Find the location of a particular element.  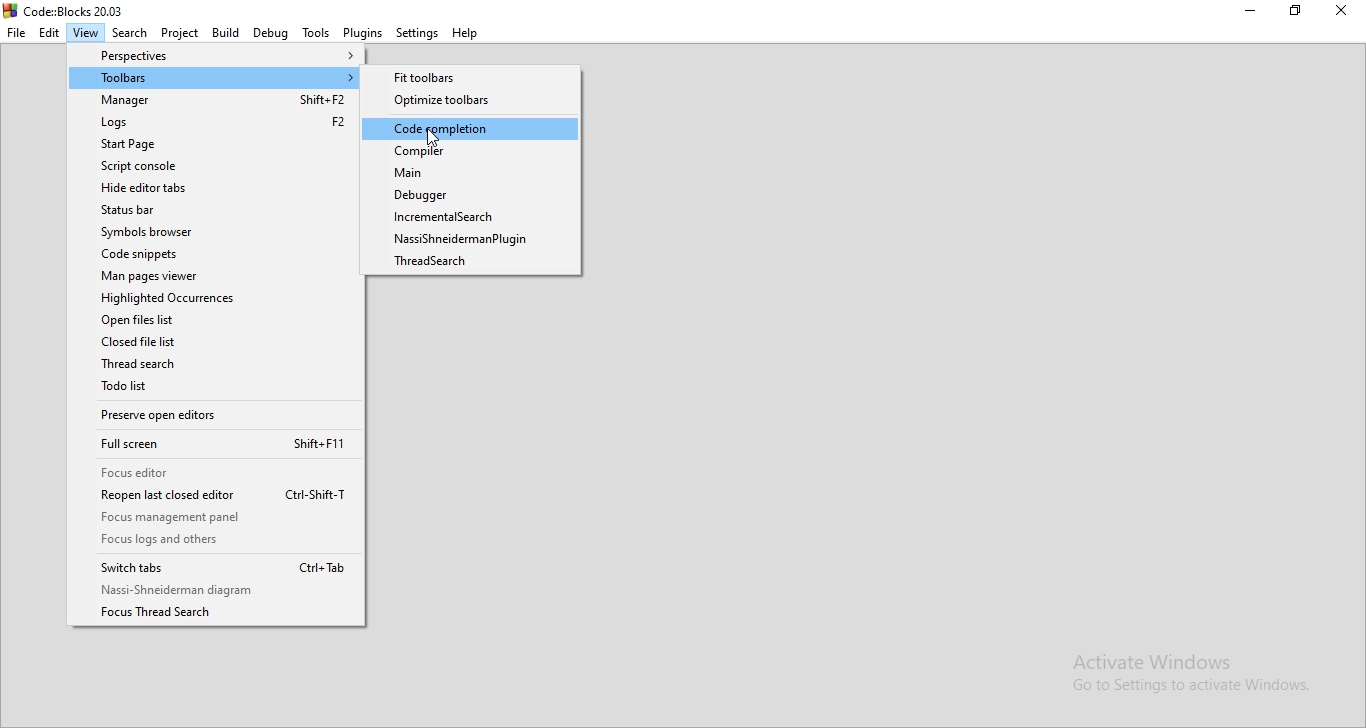

Reopen last closed editor is located at coordinates (212, 496).